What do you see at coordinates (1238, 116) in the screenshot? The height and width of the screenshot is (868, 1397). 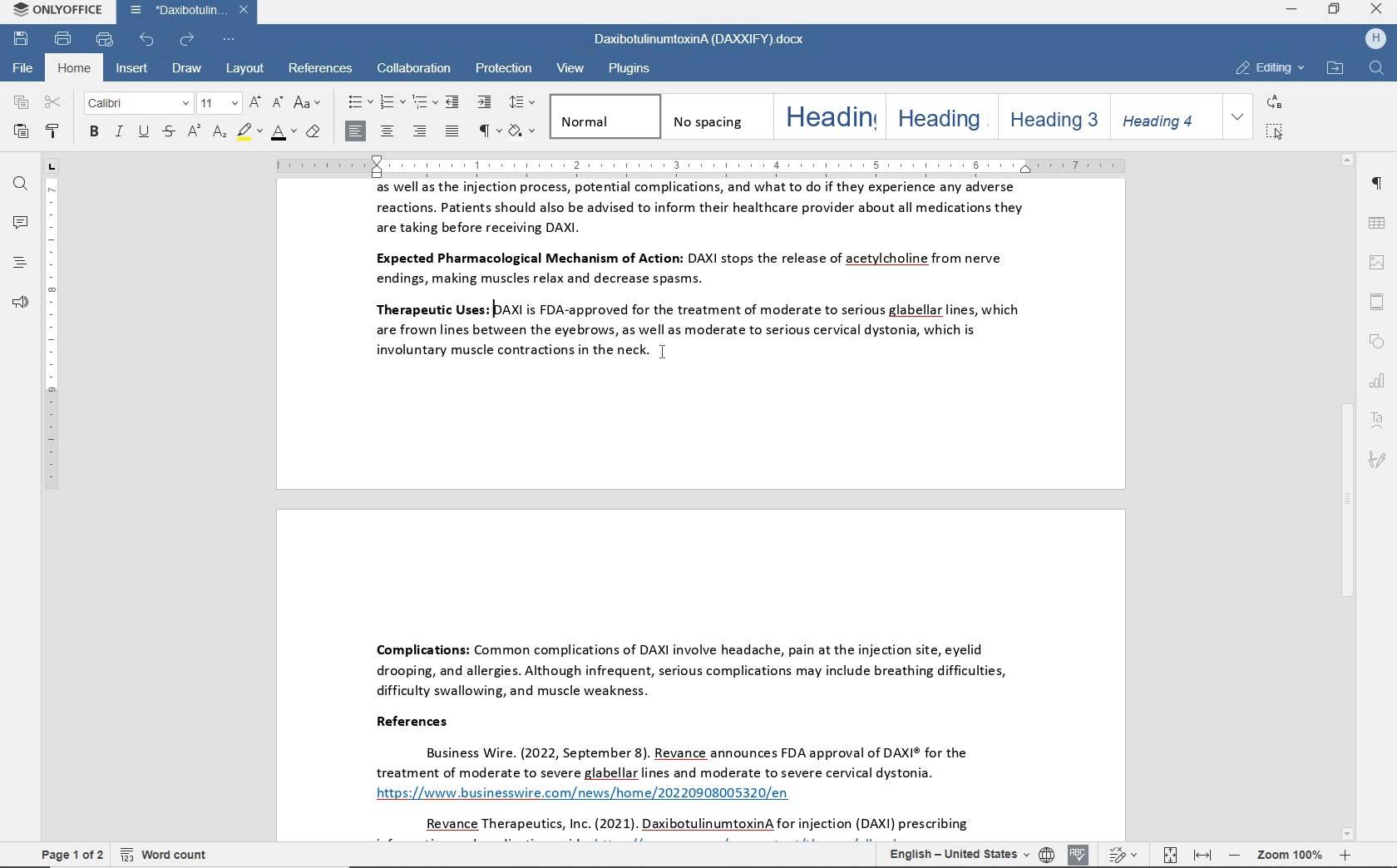 I see `expand` at bounding box center [1238, 116].